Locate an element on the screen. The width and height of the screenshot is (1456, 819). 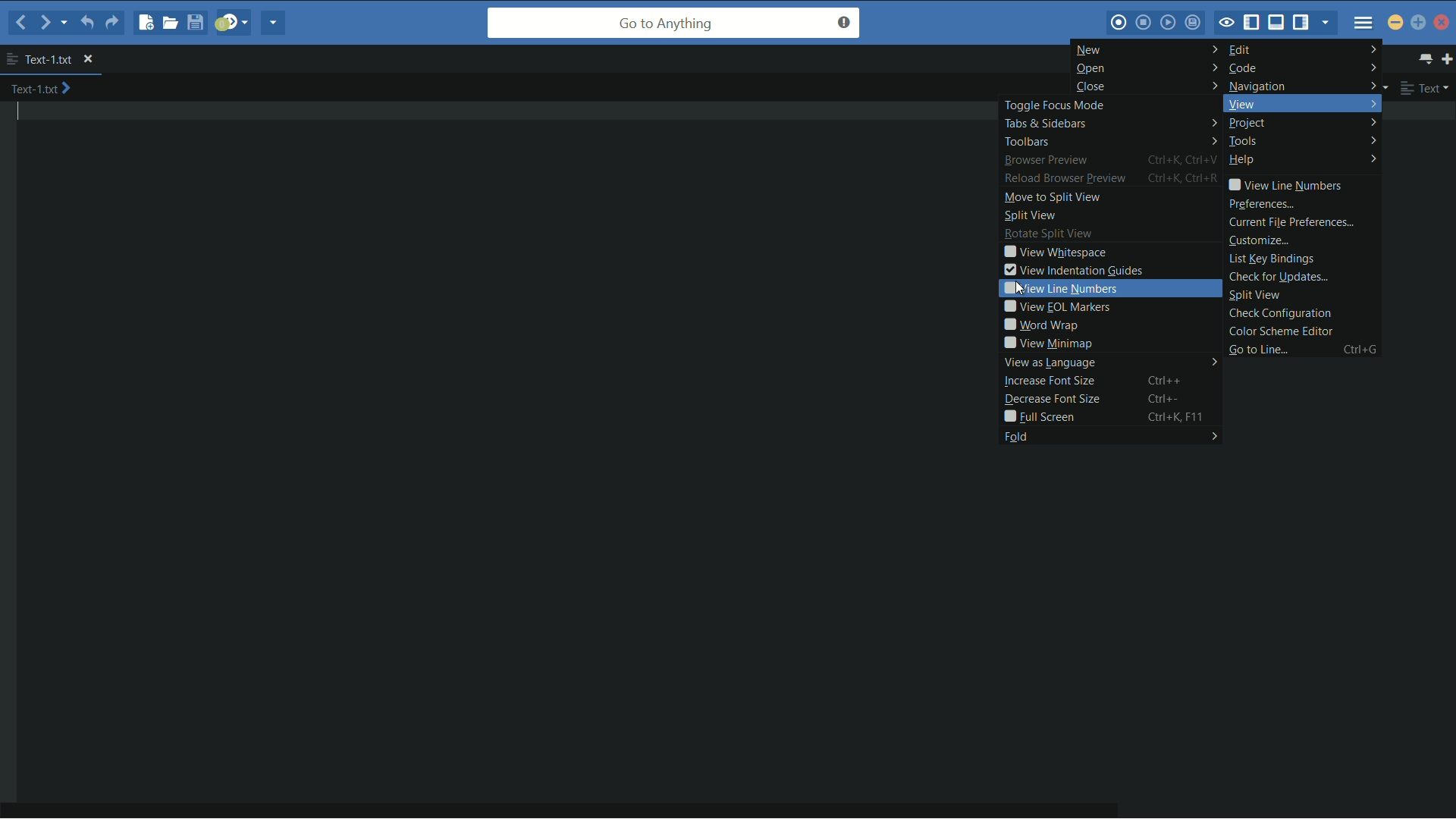
word wrap is located at coordinates (1040, 326).